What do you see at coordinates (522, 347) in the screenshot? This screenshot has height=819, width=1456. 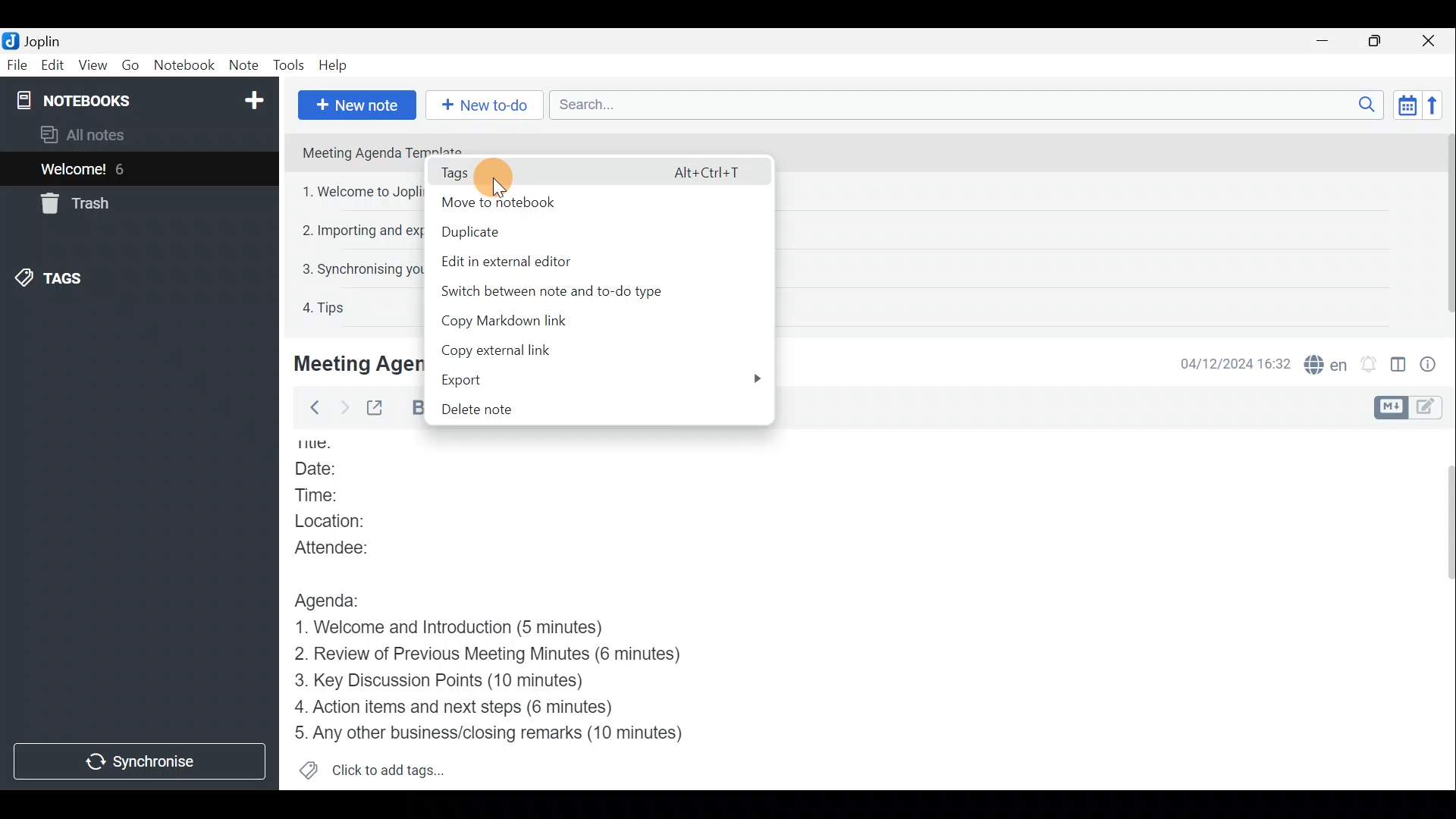 I see `Copy external link` at bounding box center [522, 347].